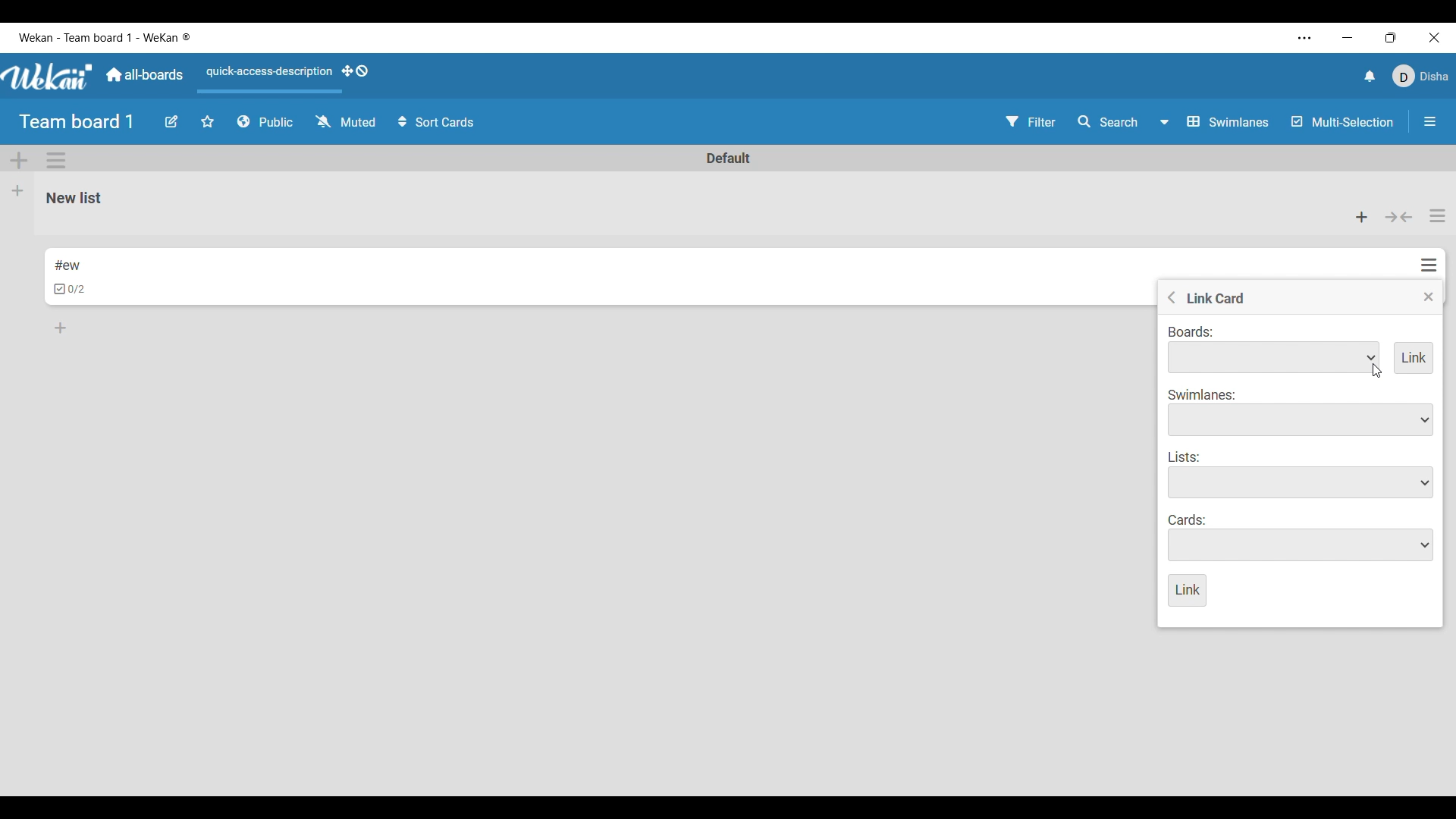 Image resolution: width=1456 pixels, height=819 pixels. What do you see at coordinates (265, 122) in the screenshot?
I see `Board privacy options` at bounding box center [265, 122].